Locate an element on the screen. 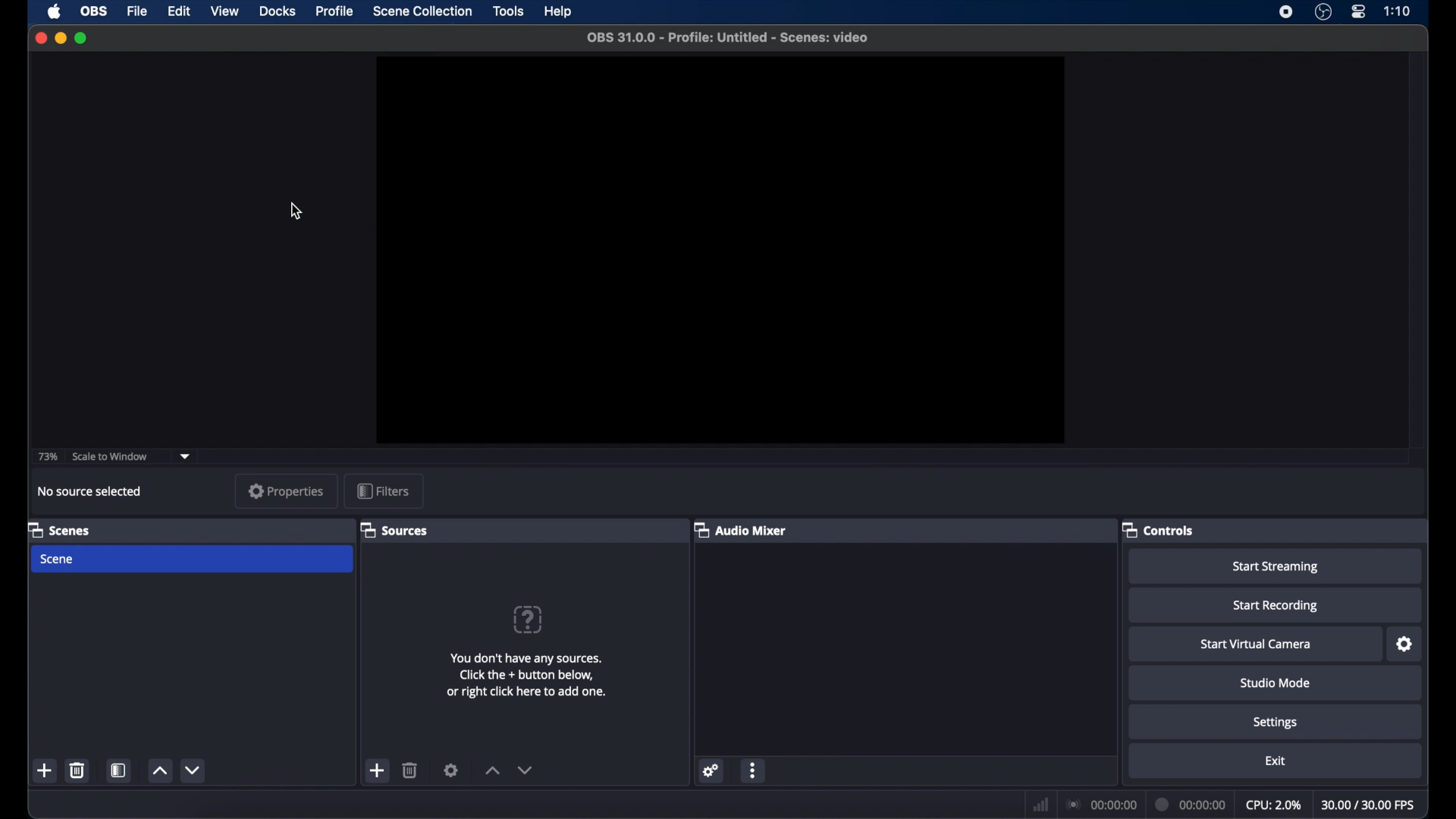 The image size is (1456, 819). audio mixer is located at coordinates (745, 532).